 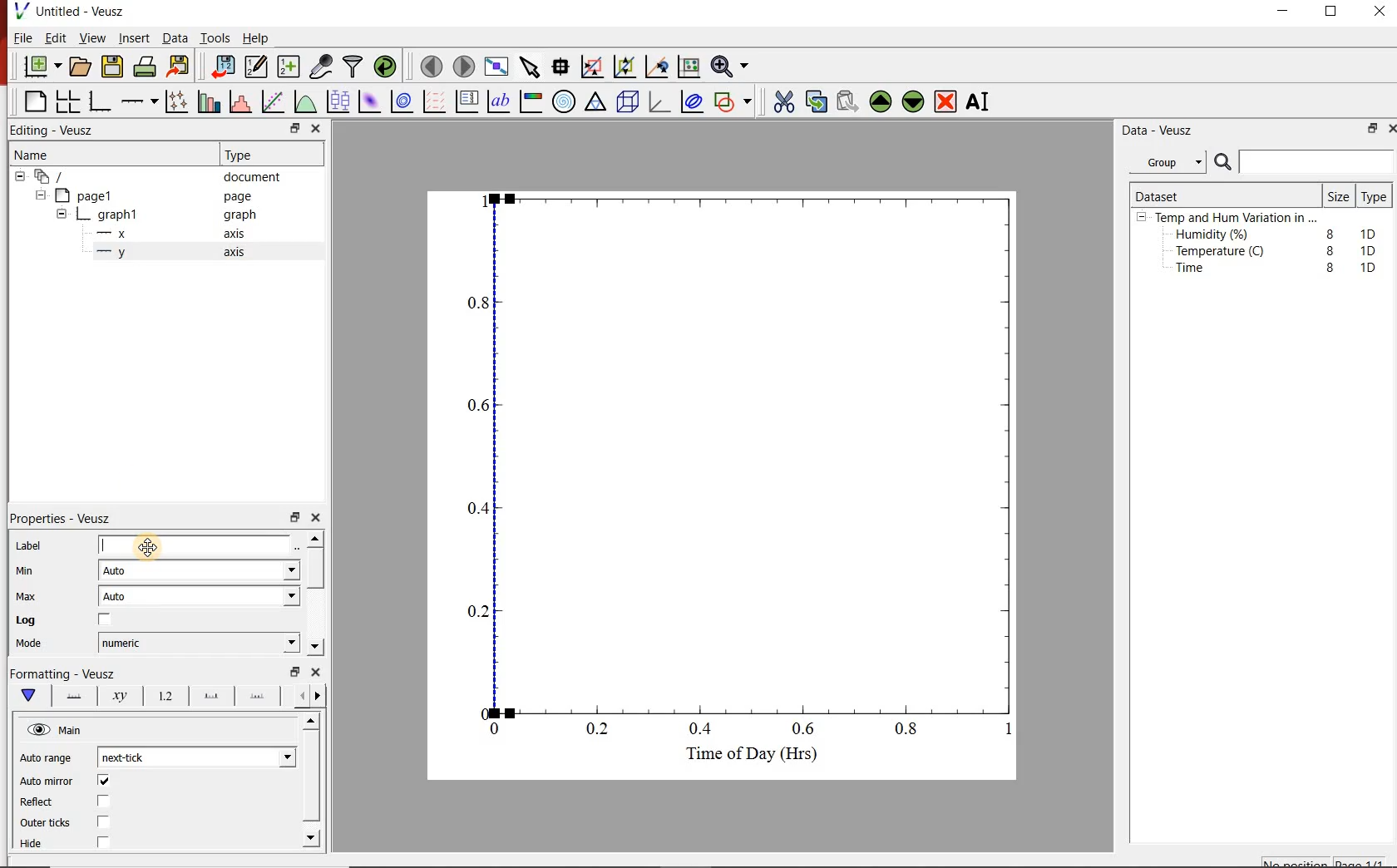 What do you see at coordinates (385, 67) in the screenshot?
I see `reload linked datasets` at bounding box center [385, 67].